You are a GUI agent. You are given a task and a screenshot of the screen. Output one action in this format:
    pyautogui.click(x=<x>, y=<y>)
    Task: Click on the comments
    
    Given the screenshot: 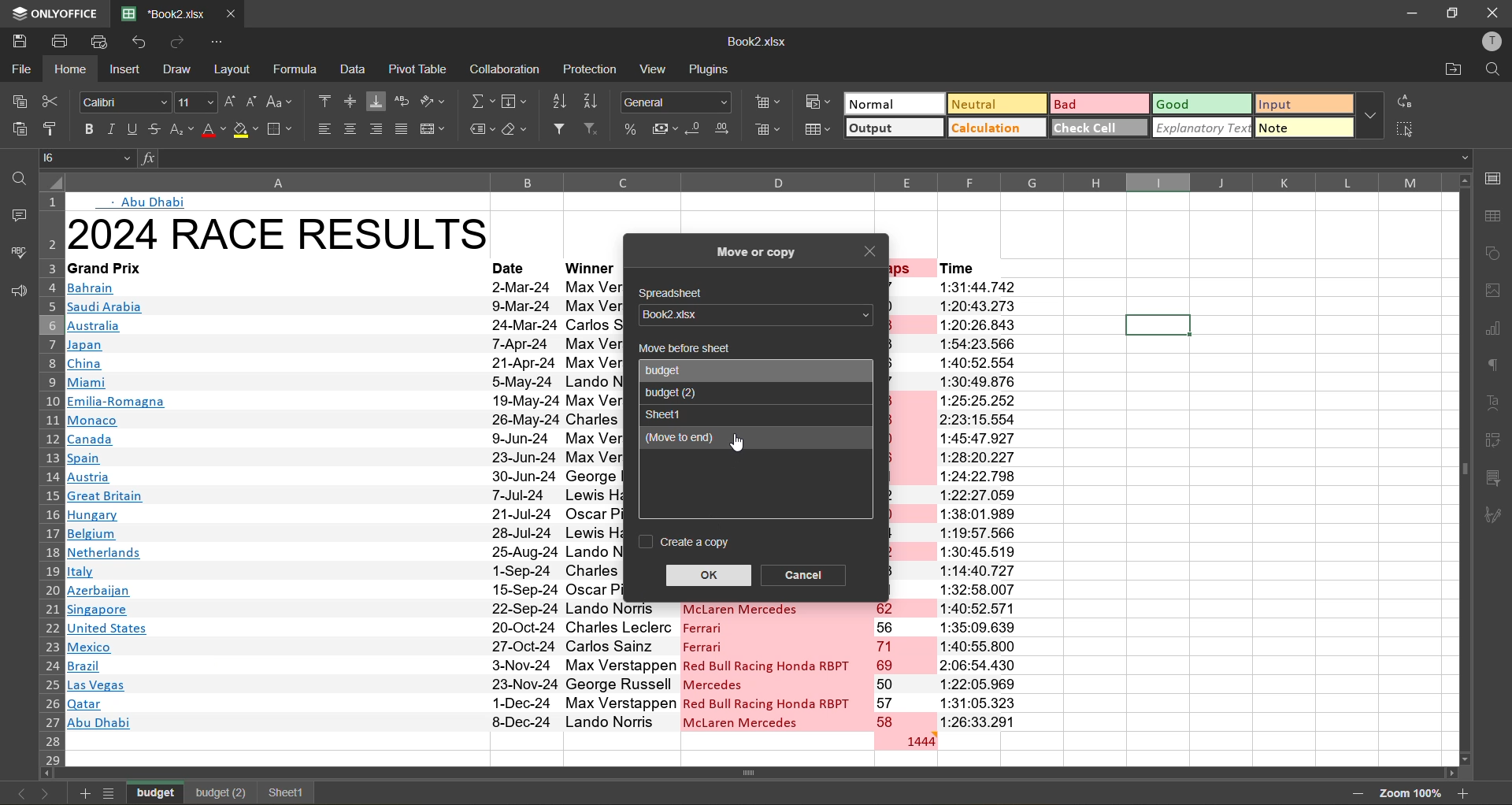 What is the action you would take?
    pyautogui.click(x=14, y=215)
    